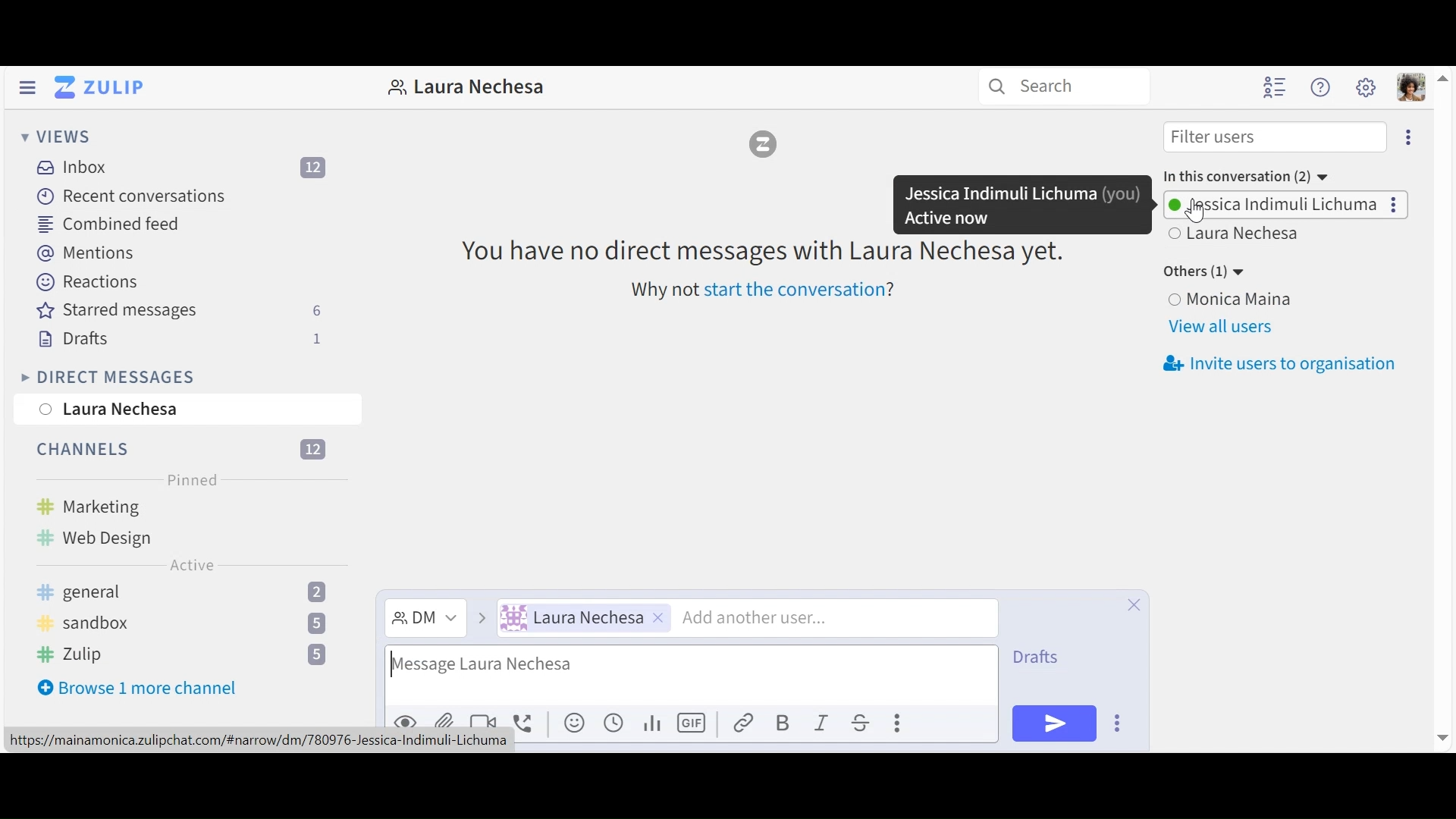 The height and width of the screenshot is (819, 1456). What do you see at coordinates (106, 377) in the screenshot?
I see `Direct Messages` at bounding box center [106, 377].